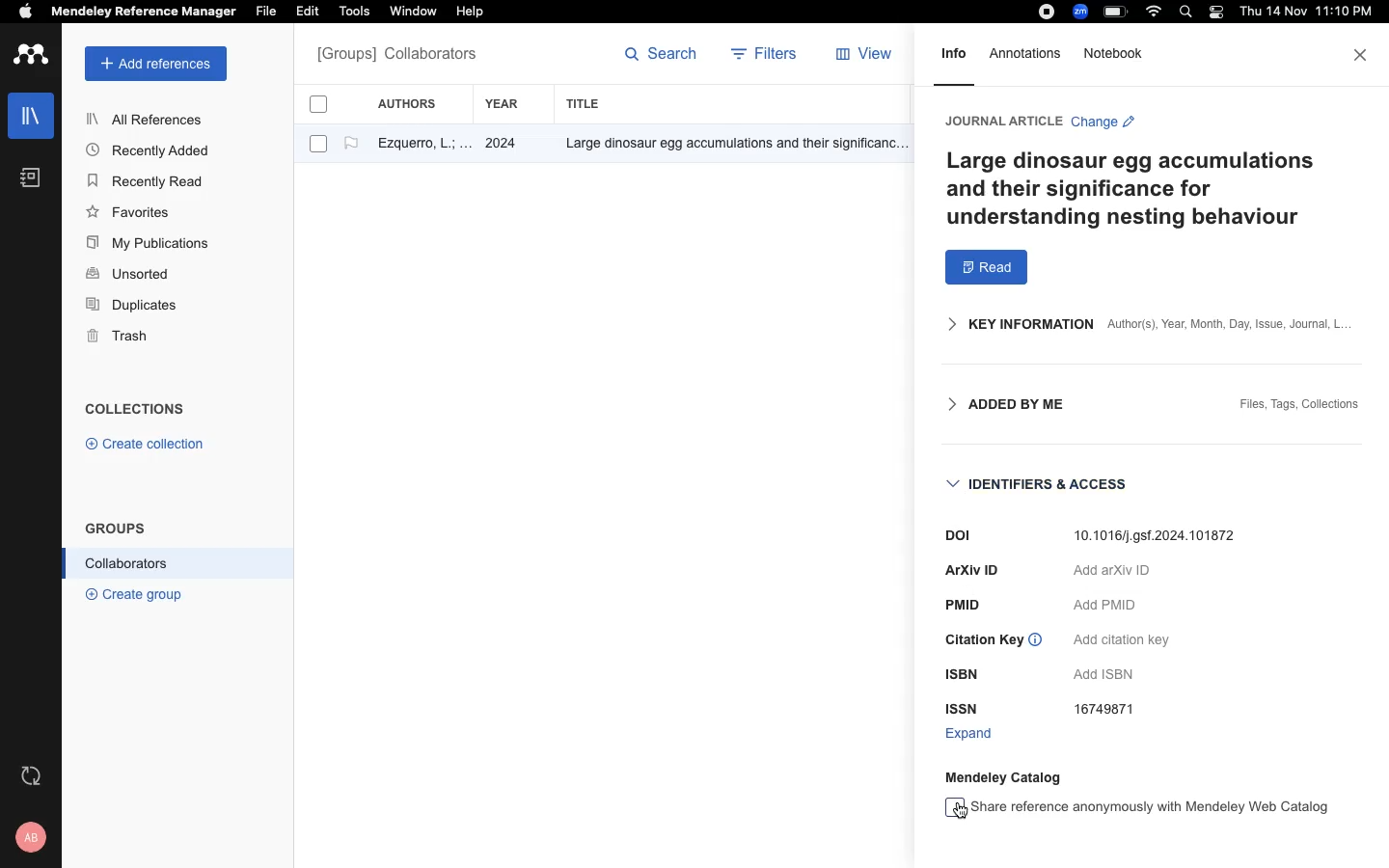 Image resolution: width=1389 pixels, height=868 pixels. What do you see at coordinates (1137, 807) in the screenshot?
I see `Share reference anonymously with Mendeley Web Catalog` at bounding box center [1137, 807].